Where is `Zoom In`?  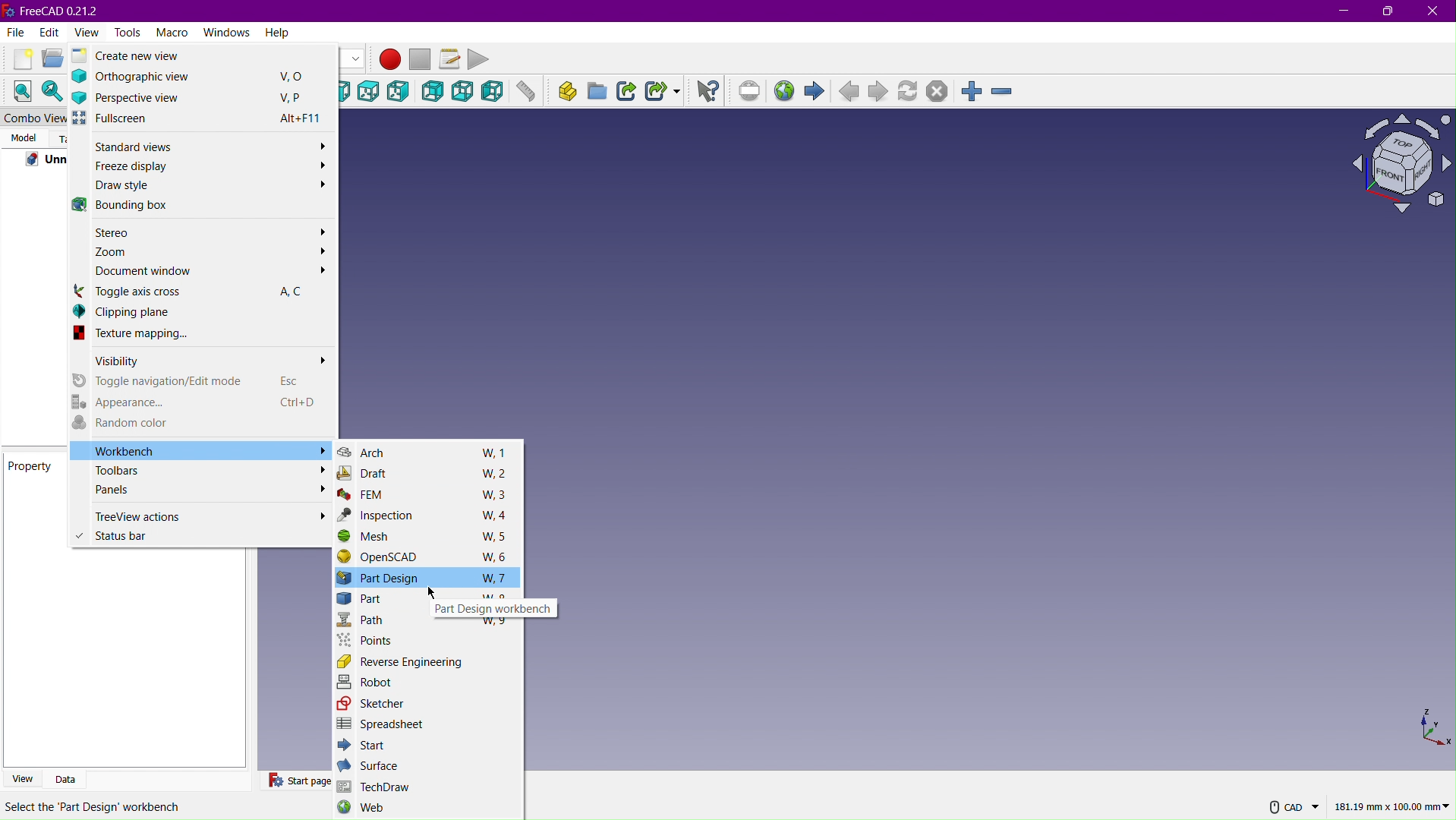
Zoom In is located at coordinates (972, 91).